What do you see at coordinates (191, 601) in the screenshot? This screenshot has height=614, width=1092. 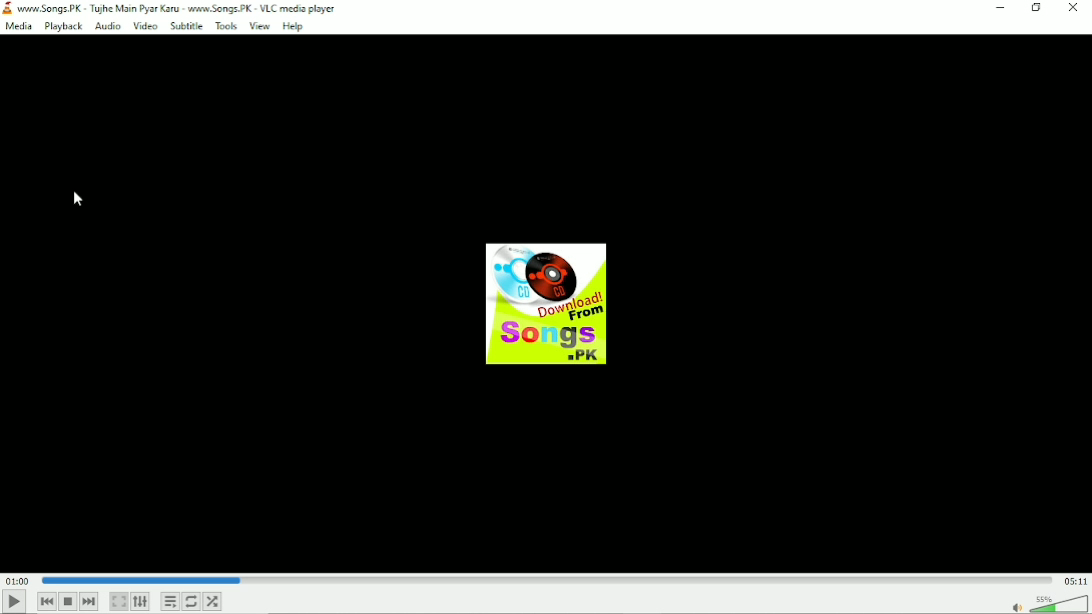 I see `Toggle between loop all, loop one, no loop` at bounding box center [191, 601].